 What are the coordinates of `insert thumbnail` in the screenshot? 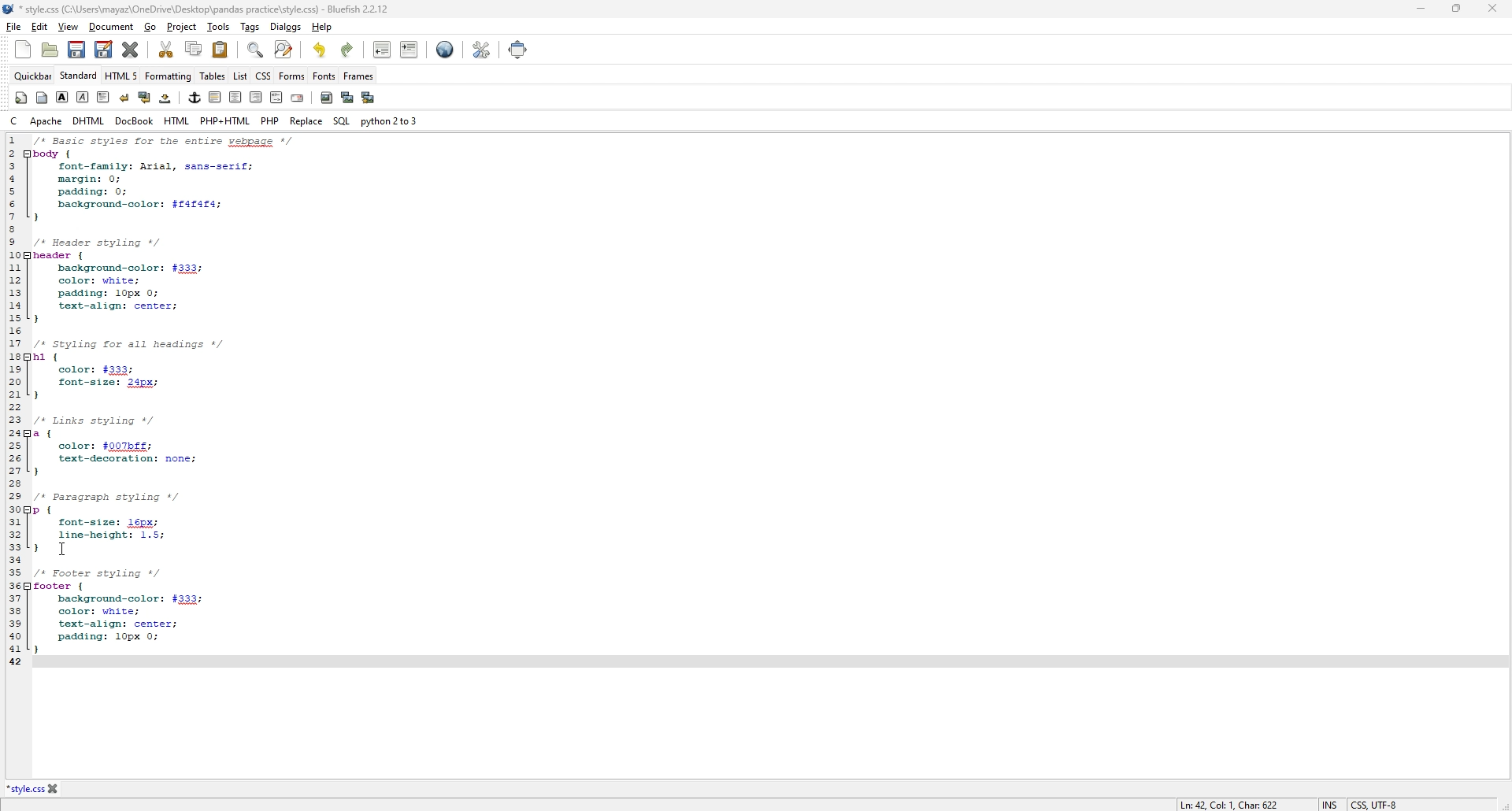 It's located at (347, 98).